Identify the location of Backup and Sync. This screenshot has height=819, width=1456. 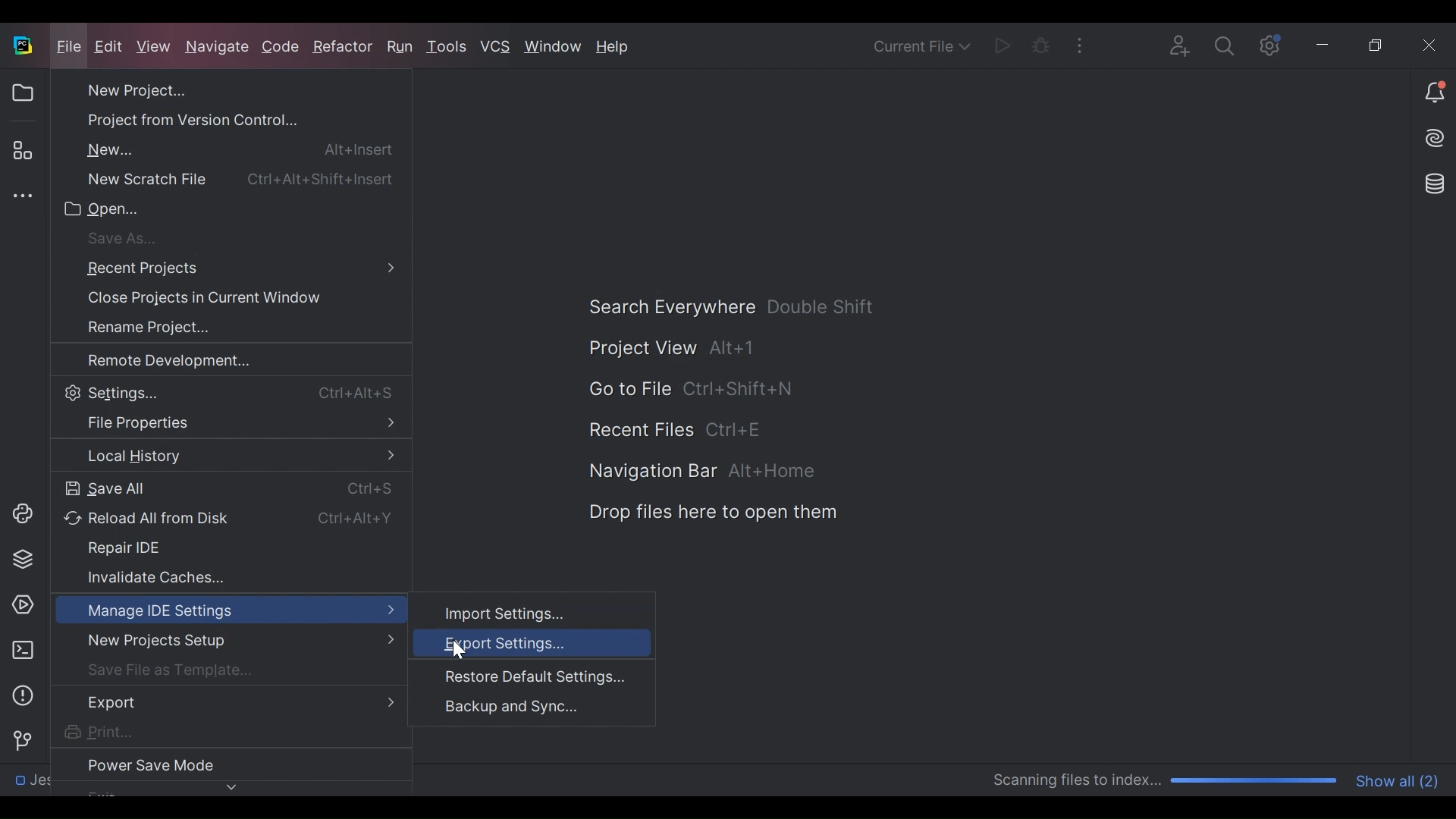
(545, 708).